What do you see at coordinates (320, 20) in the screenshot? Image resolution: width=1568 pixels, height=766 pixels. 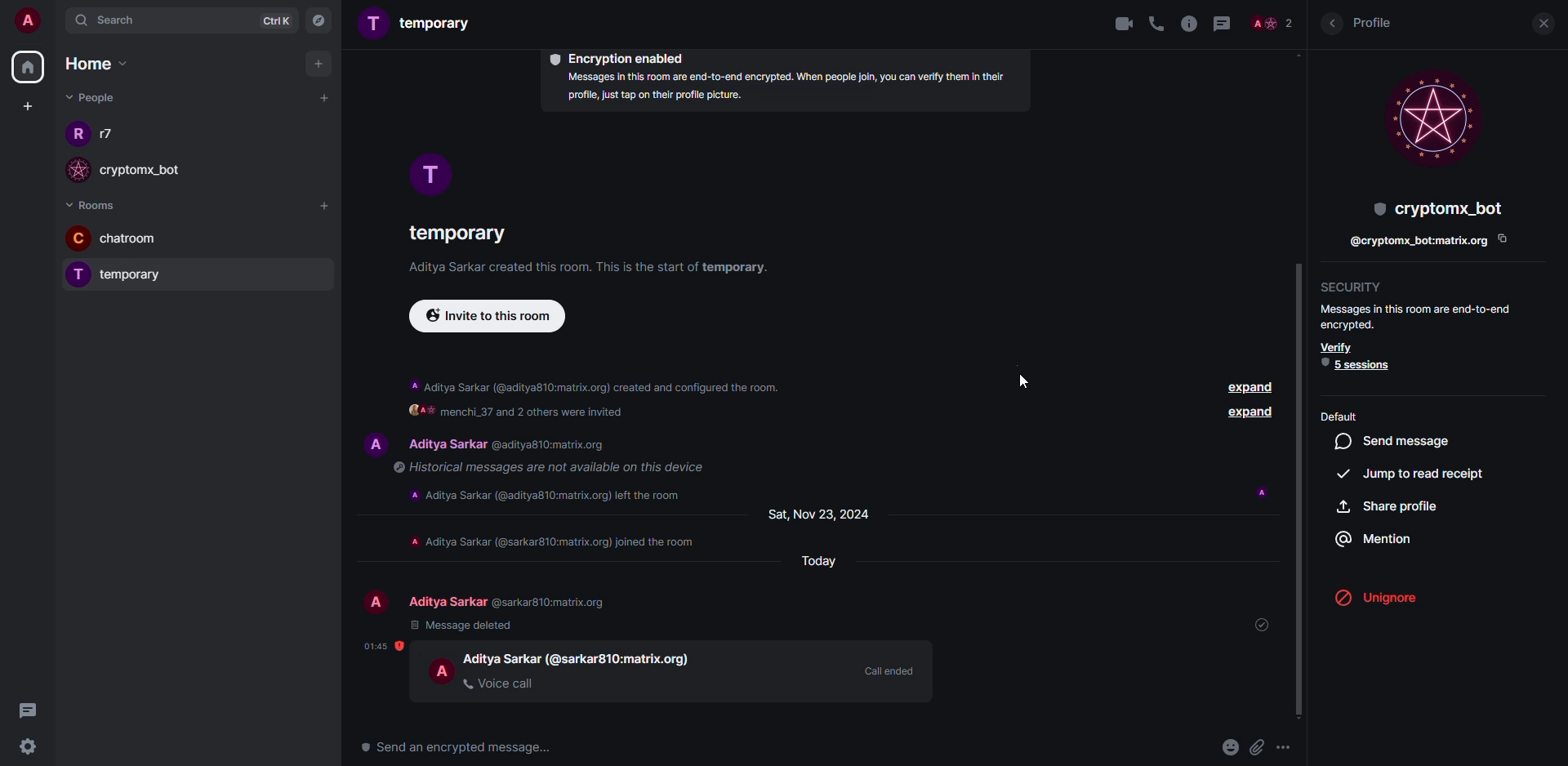 I see `navigator` at bounding box center [320, 20].